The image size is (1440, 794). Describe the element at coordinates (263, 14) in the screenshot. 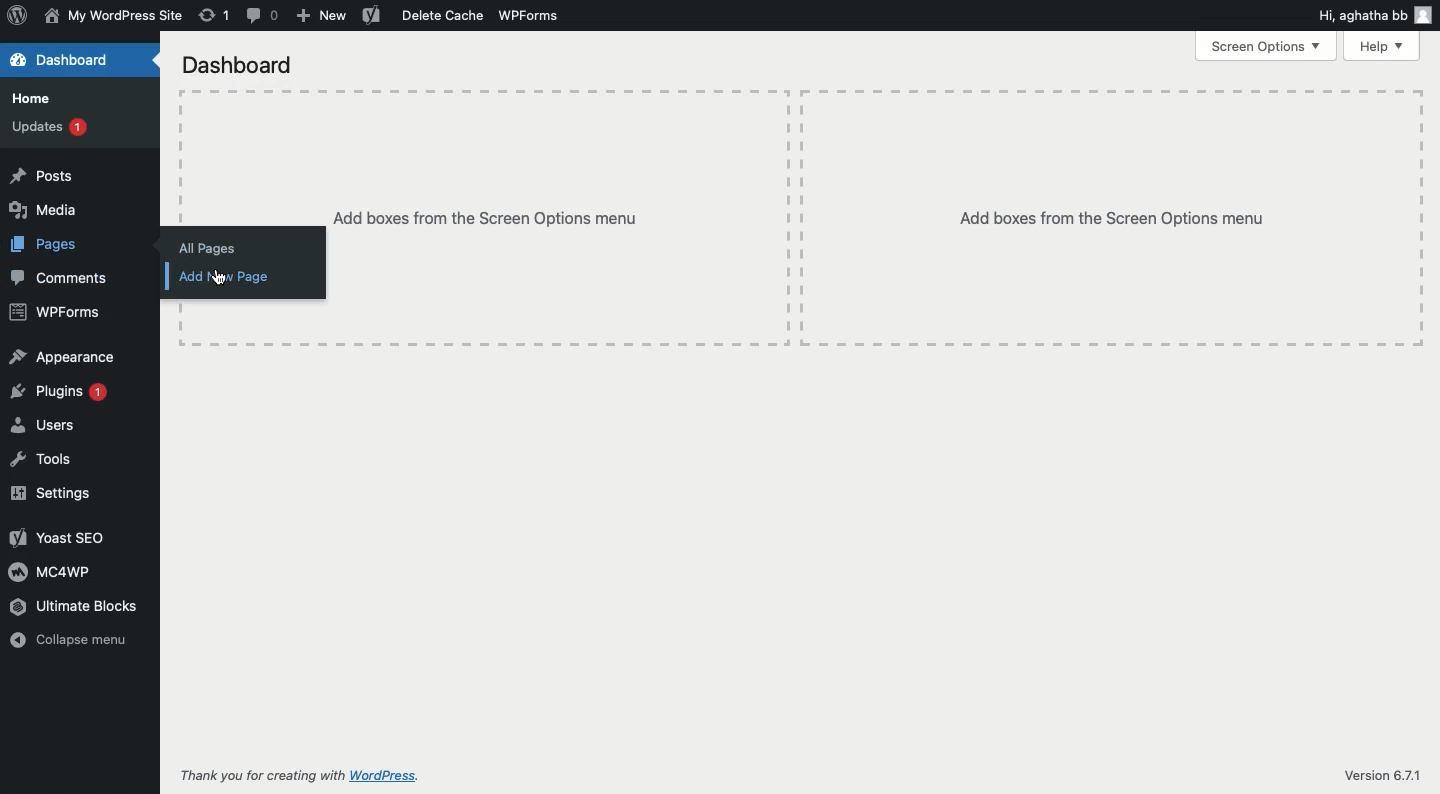

I see `Comment` at that location.